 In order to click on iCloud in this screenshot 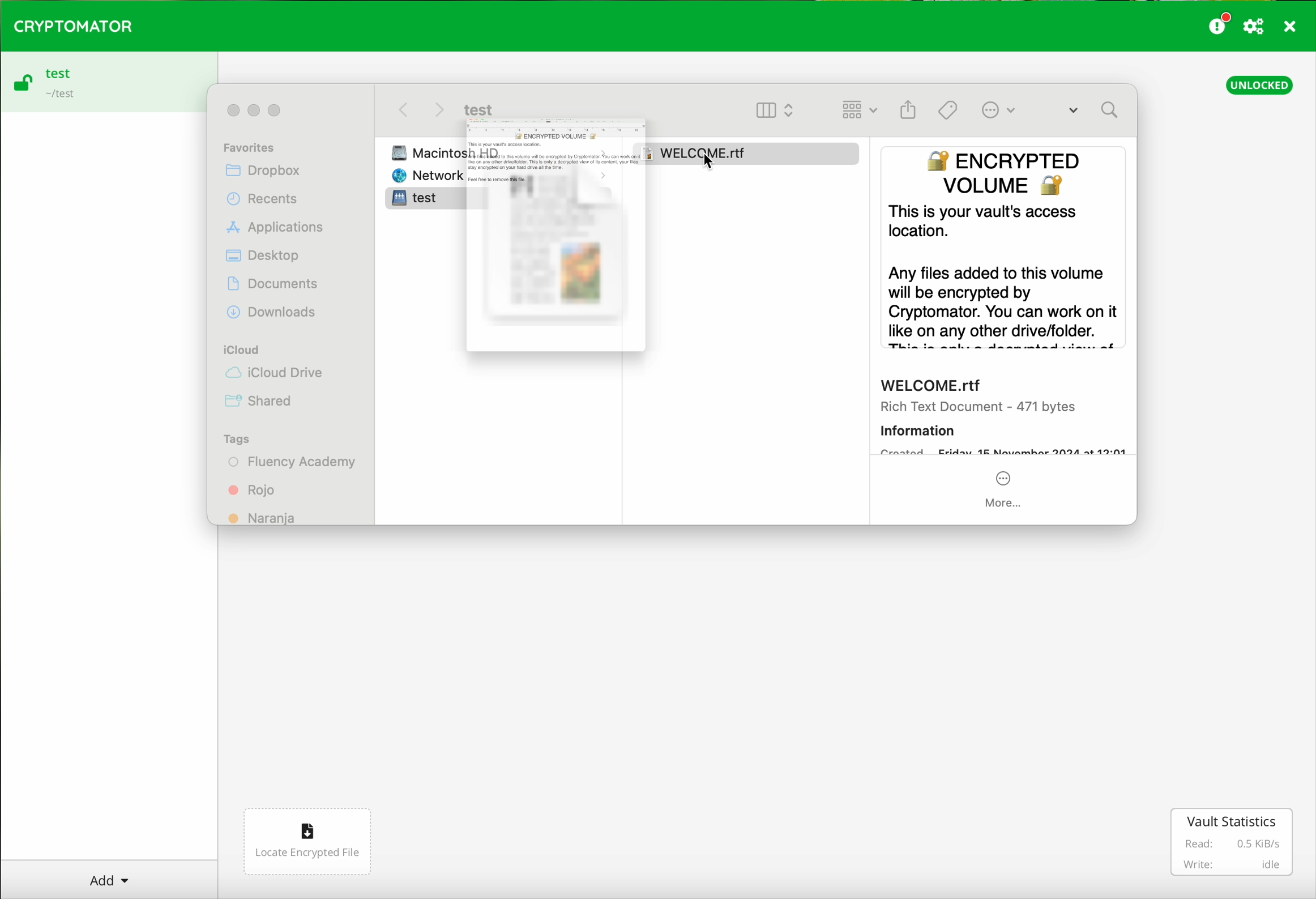, I will do `click(242, 350)`.